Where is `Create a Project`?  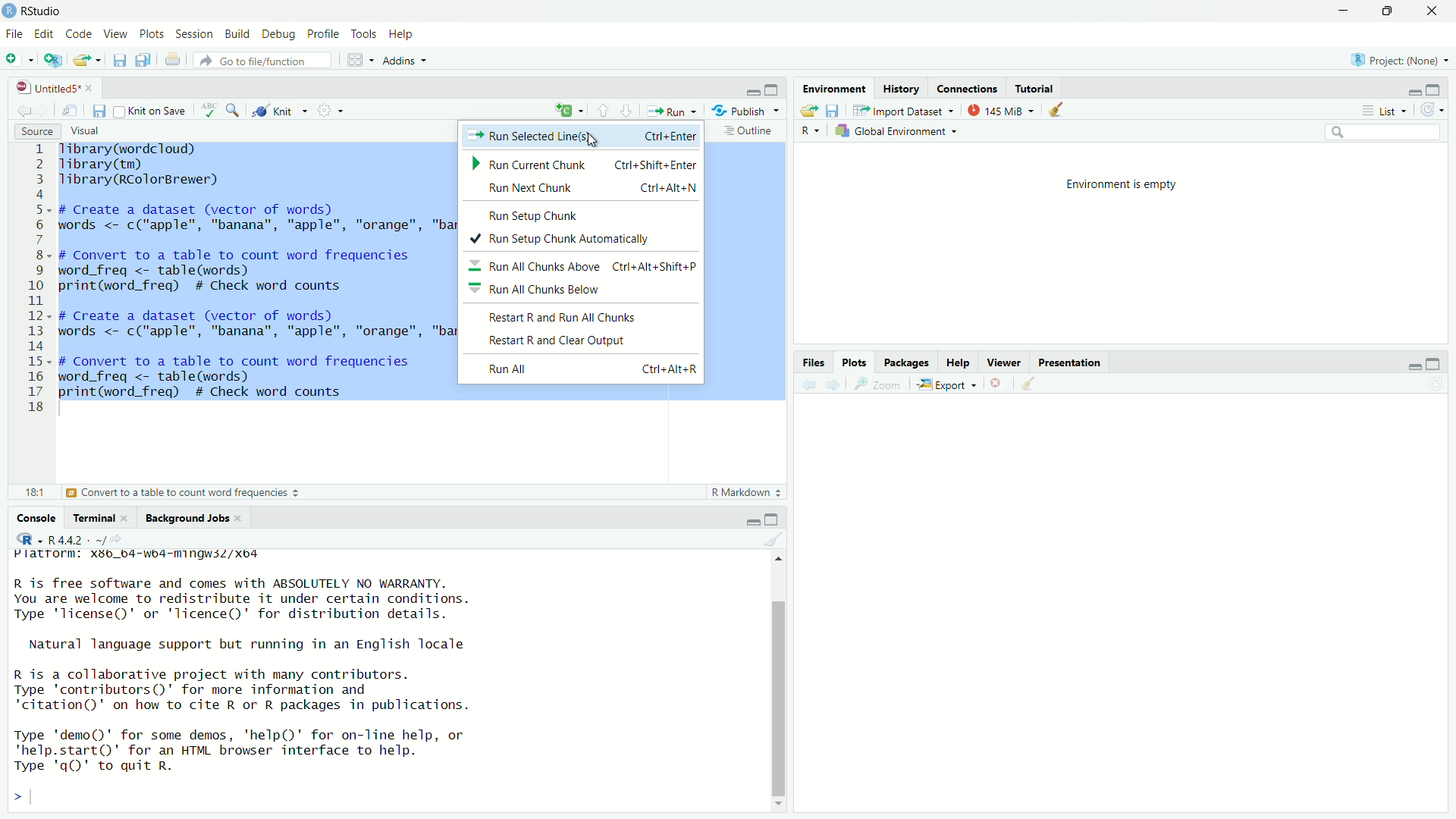 Create a Project is located at coordinates (55, 61).